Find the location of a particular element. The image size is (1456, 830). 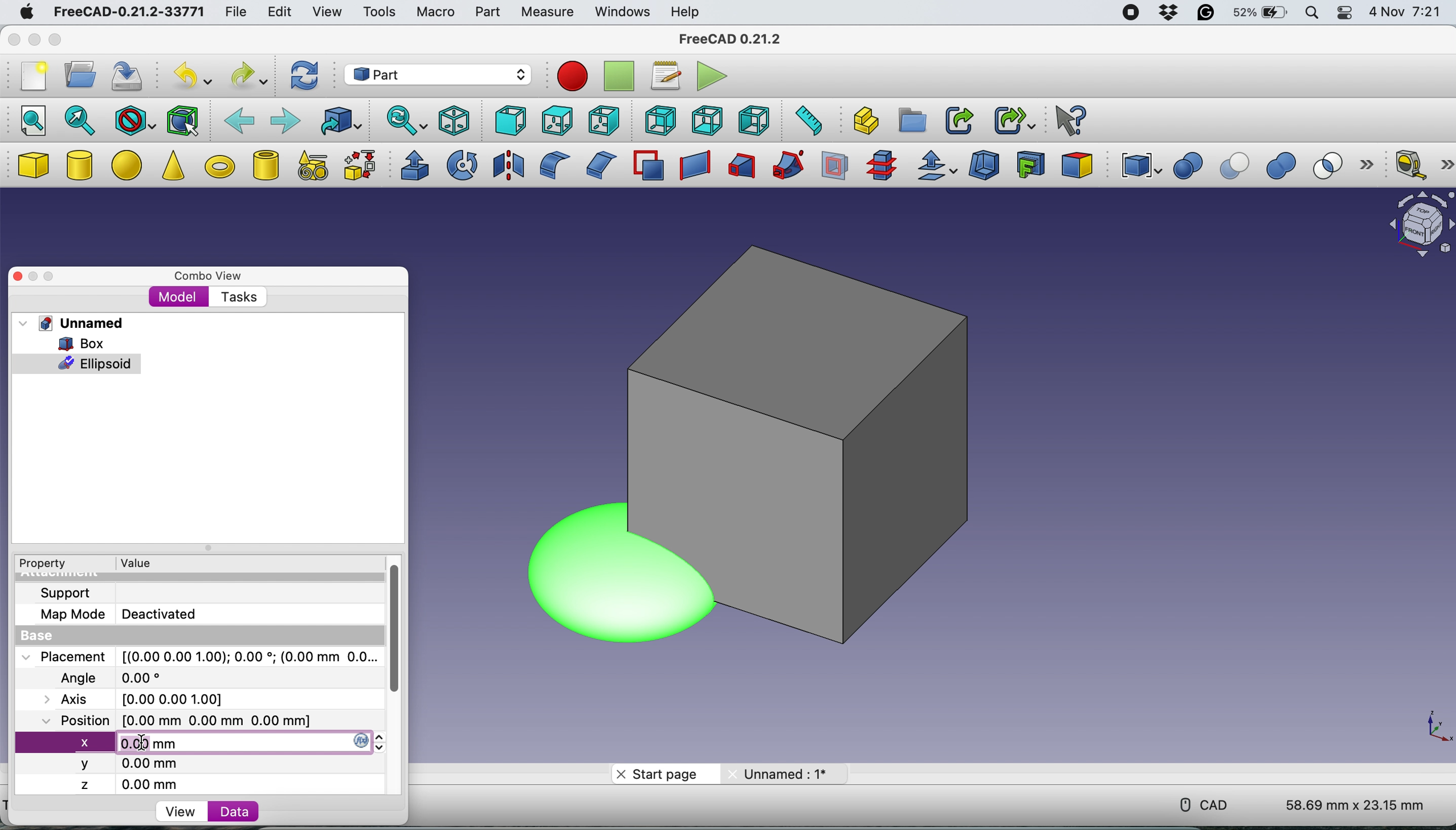

refresh is located at coordinates (304, 76).